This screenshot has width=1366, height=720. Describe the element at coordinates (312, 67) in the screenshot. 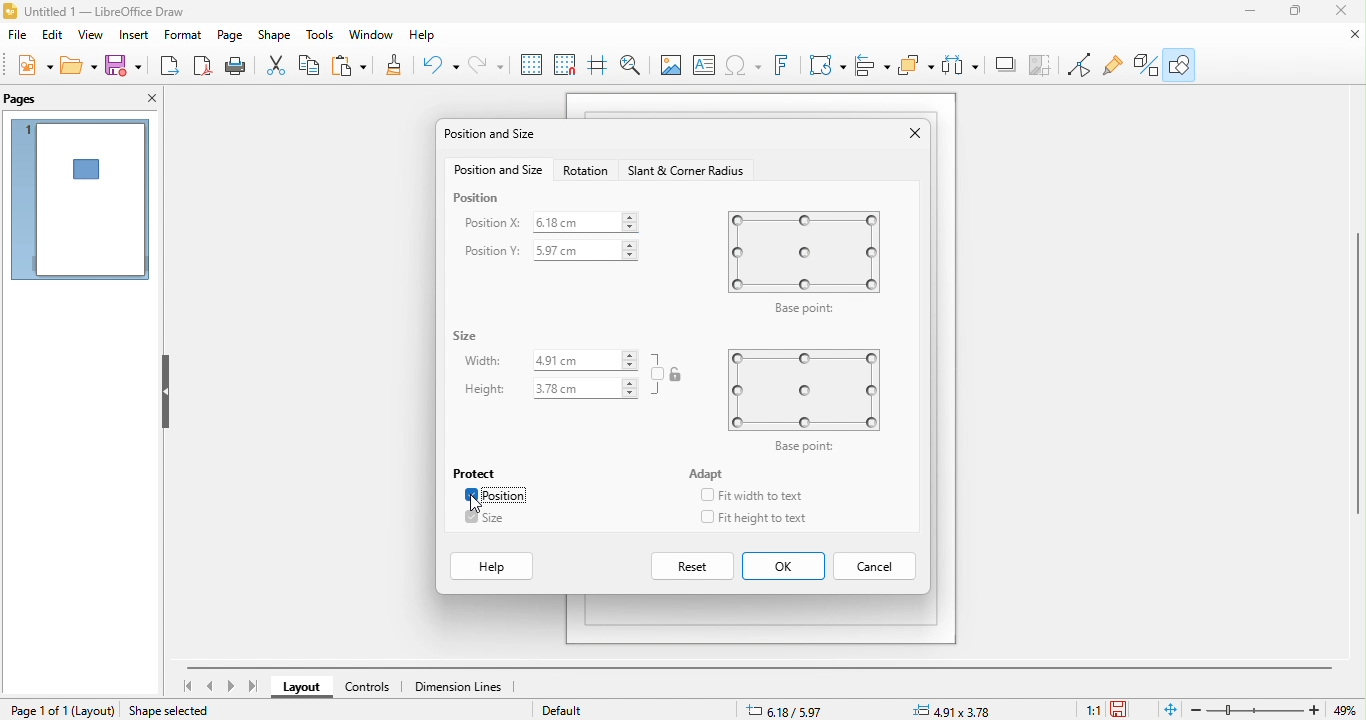

I see `copy` at that location.